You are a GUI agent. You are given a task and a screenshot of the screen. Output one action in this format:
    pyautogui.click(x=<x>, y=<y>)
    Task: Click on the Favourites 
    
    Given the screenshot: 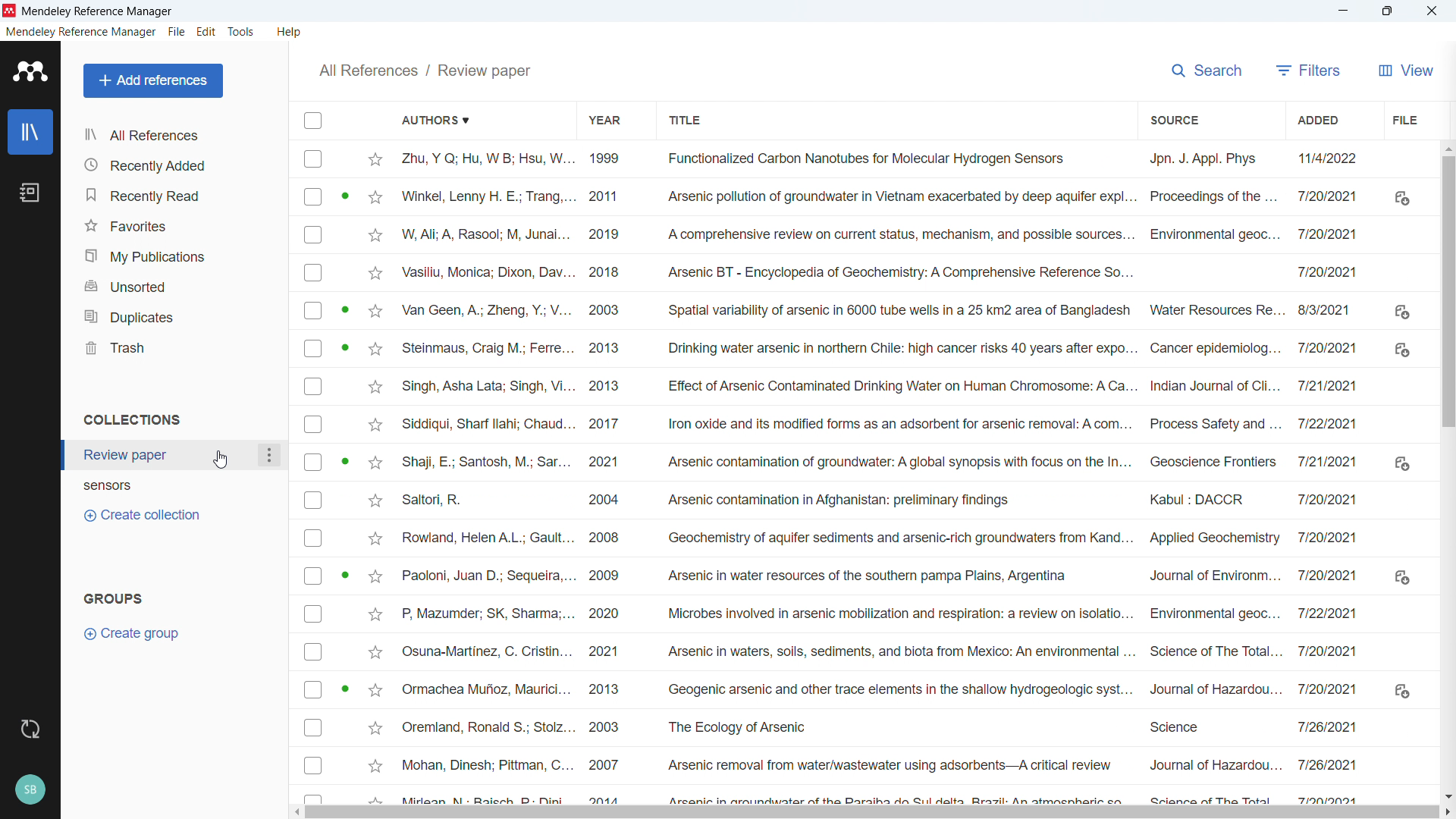 What is the action you would take?
    pyautogui.click(x=177, y=227)
    